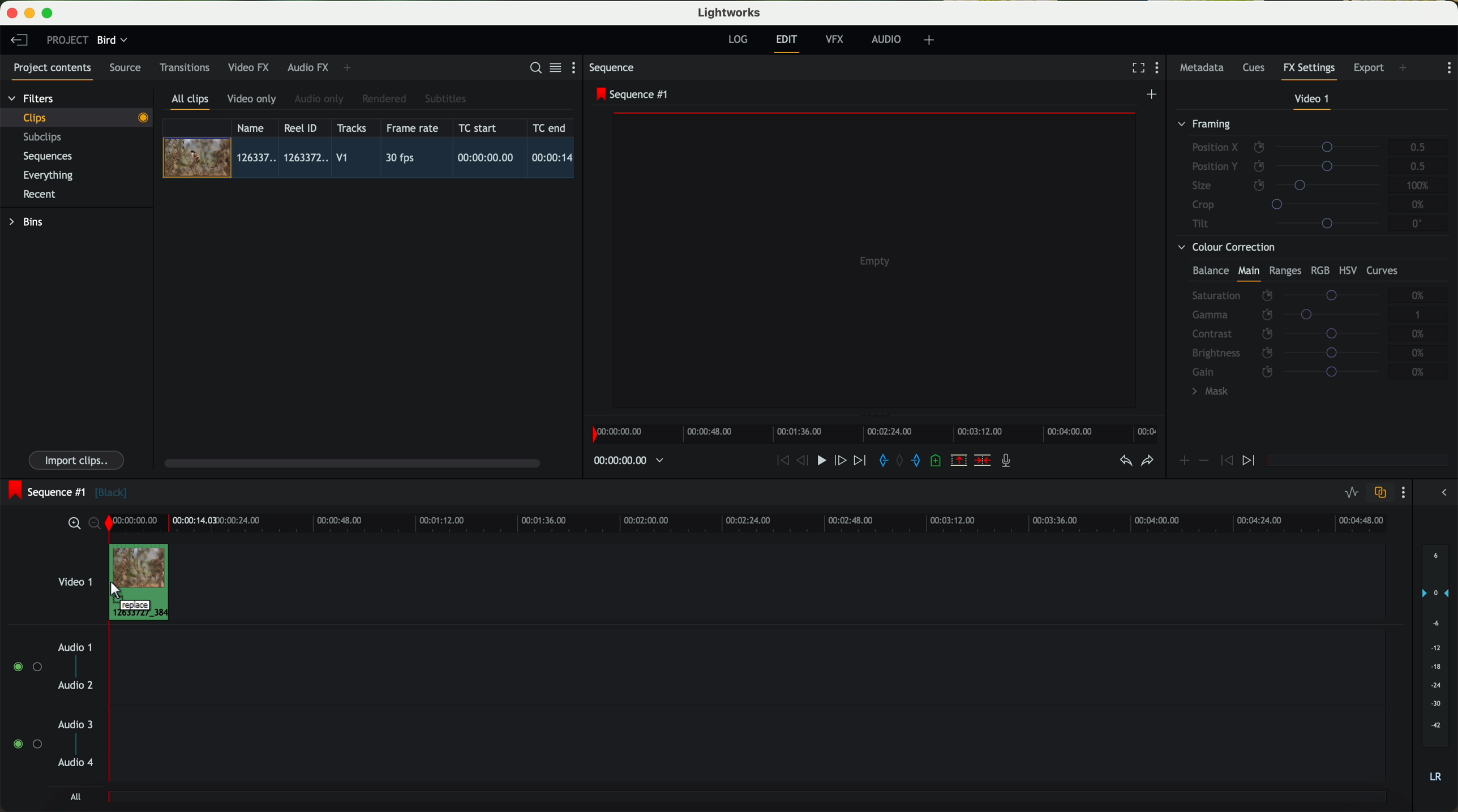 This screenshot has width=1458, height=812. What do you see at coordinates (12, 13) in the screenshot?
I see `close program` at bounding box center [12, 13].